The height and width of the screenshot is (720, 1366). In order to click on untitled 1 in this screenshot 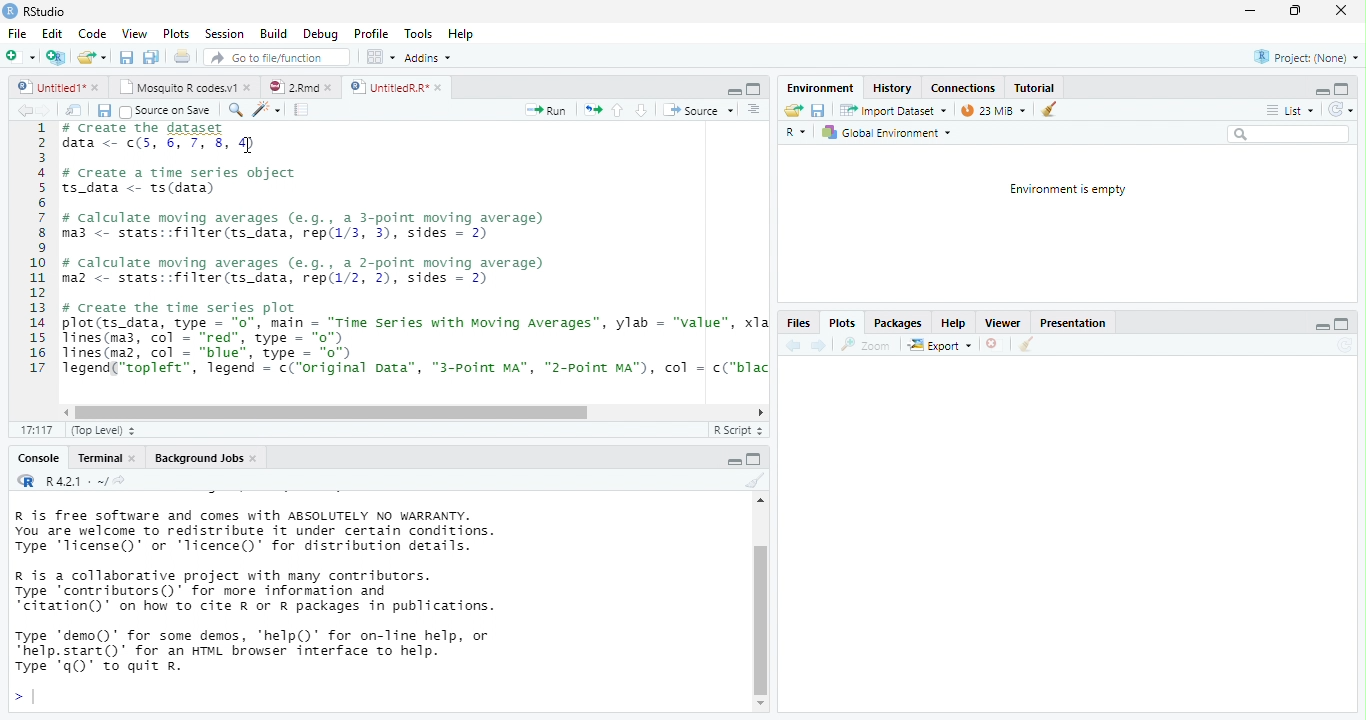, I will do `click(46, 86)`.